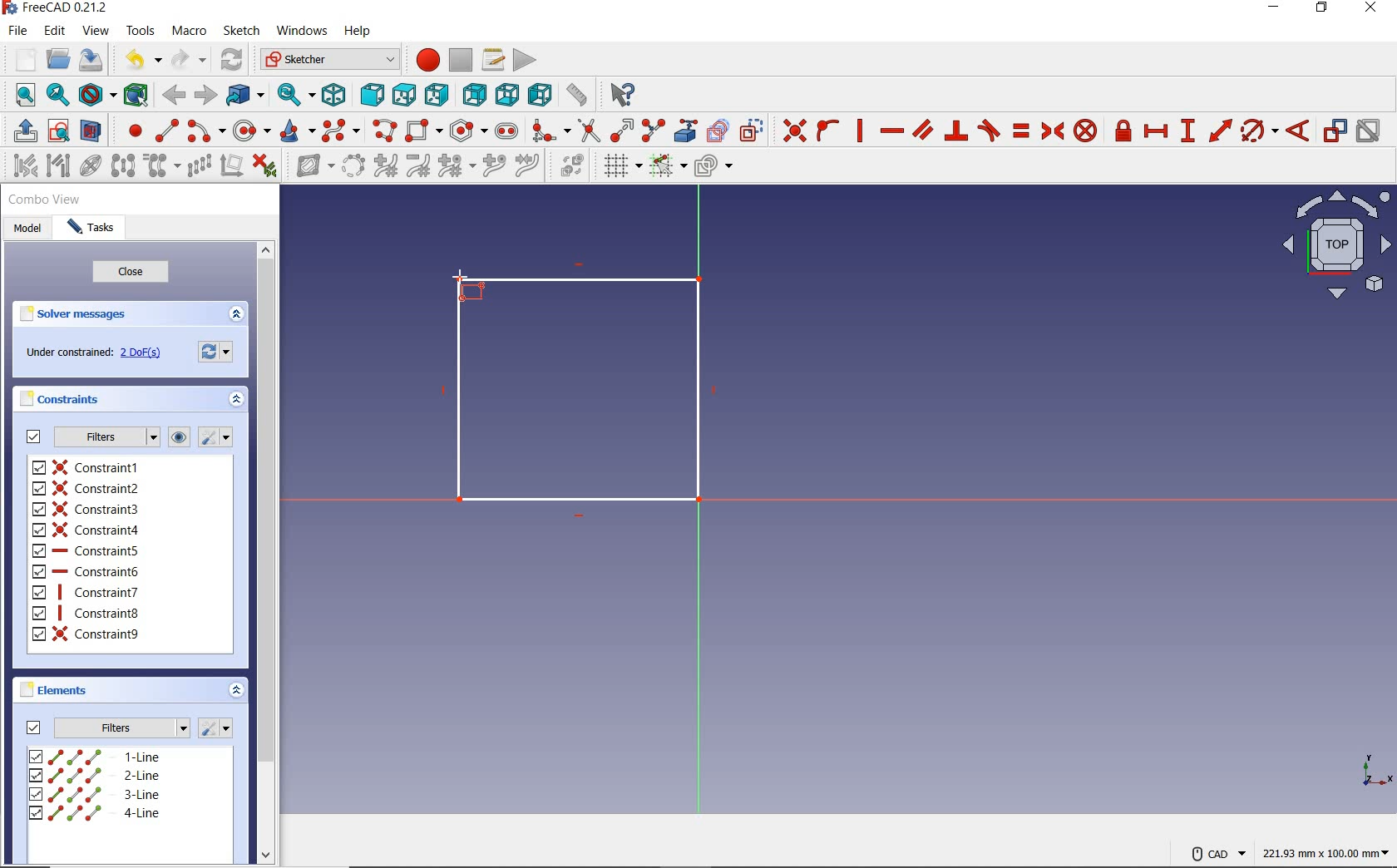  Describe the element at coordinates (30, 230) in the screenshot. I see `model` at that location.